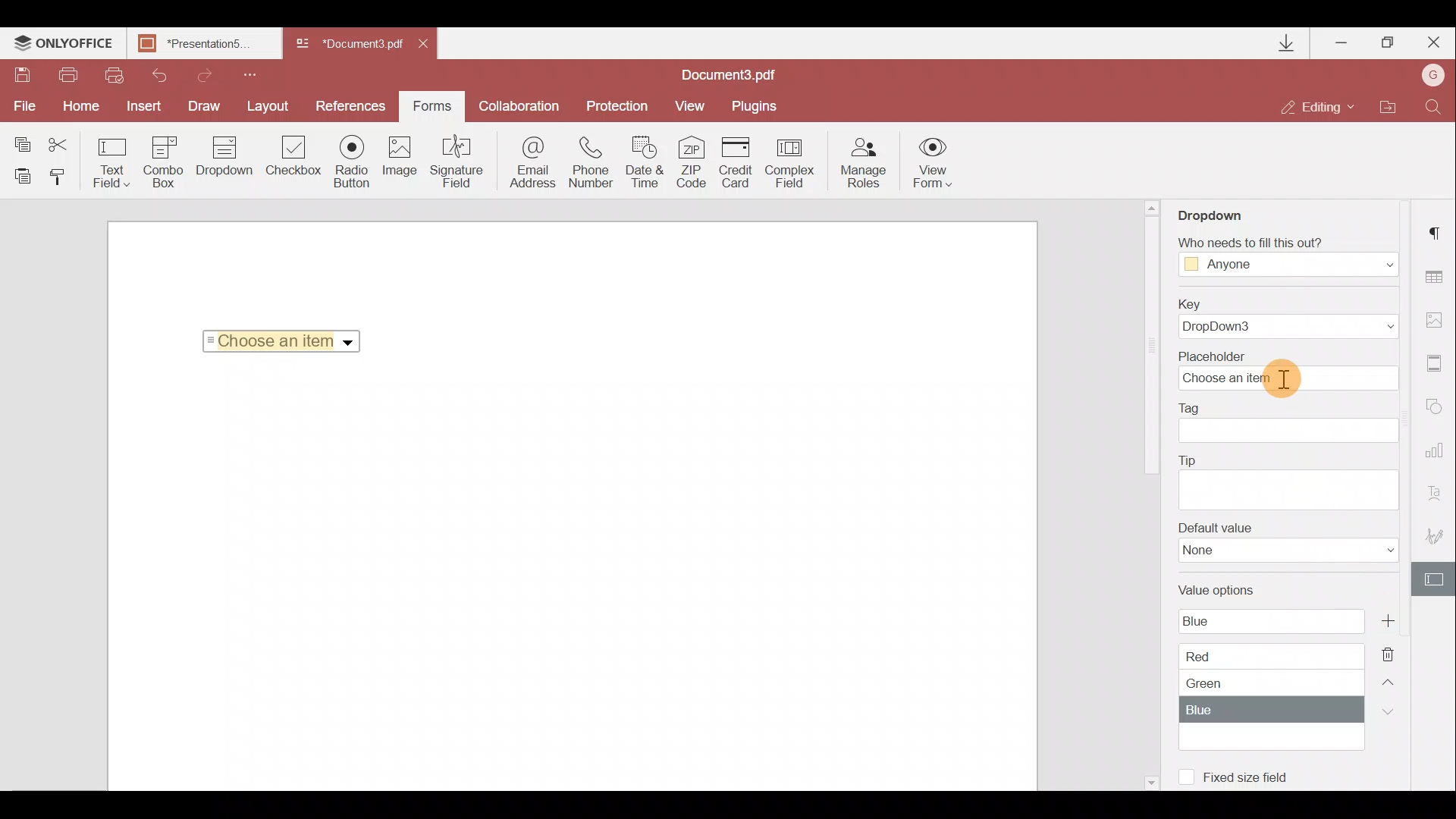 The image size is (1456, 819). I want to click on Credit card, so click(738, 161).